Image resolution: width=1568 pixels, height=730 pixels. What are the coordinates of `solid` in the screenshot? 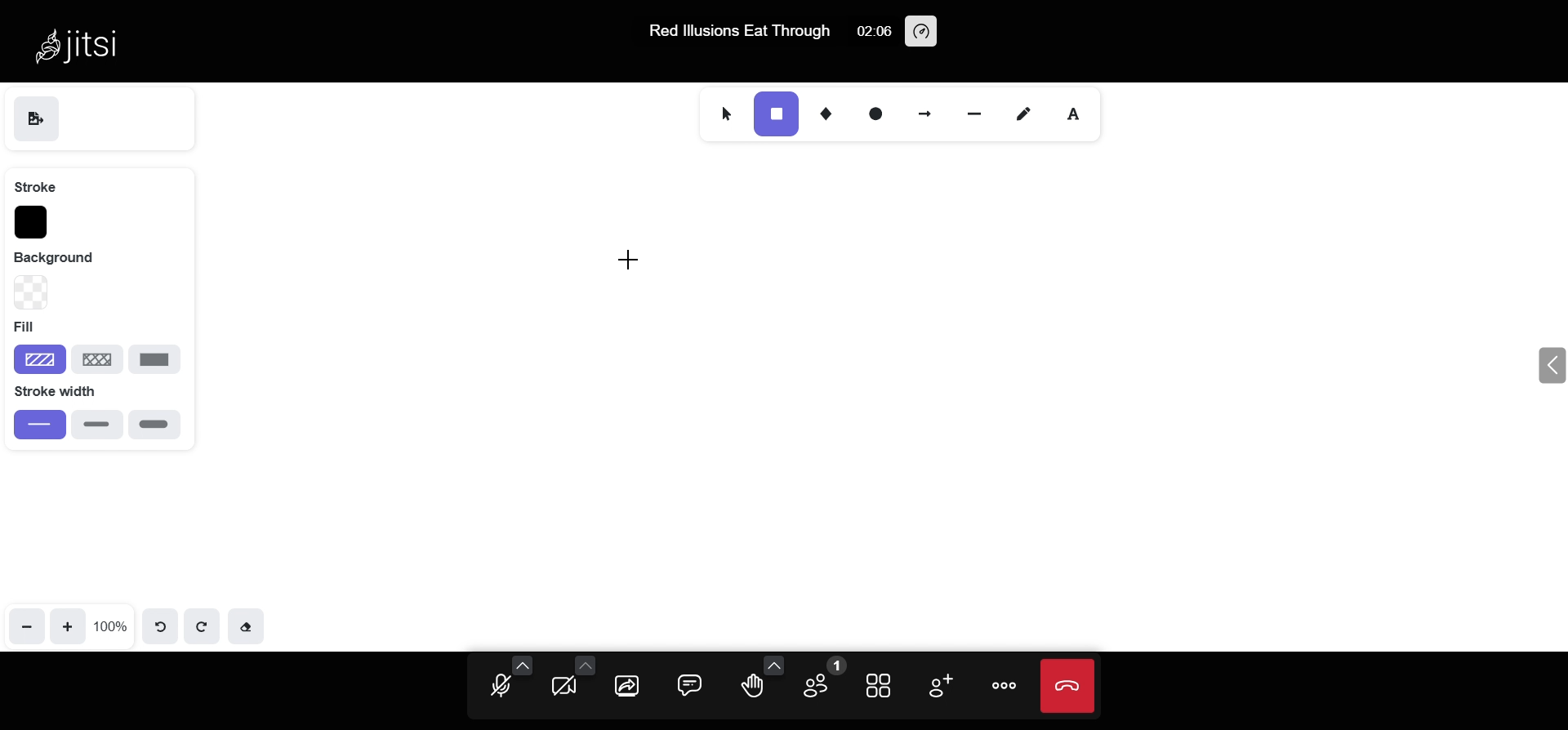 It's located at (155, 360).